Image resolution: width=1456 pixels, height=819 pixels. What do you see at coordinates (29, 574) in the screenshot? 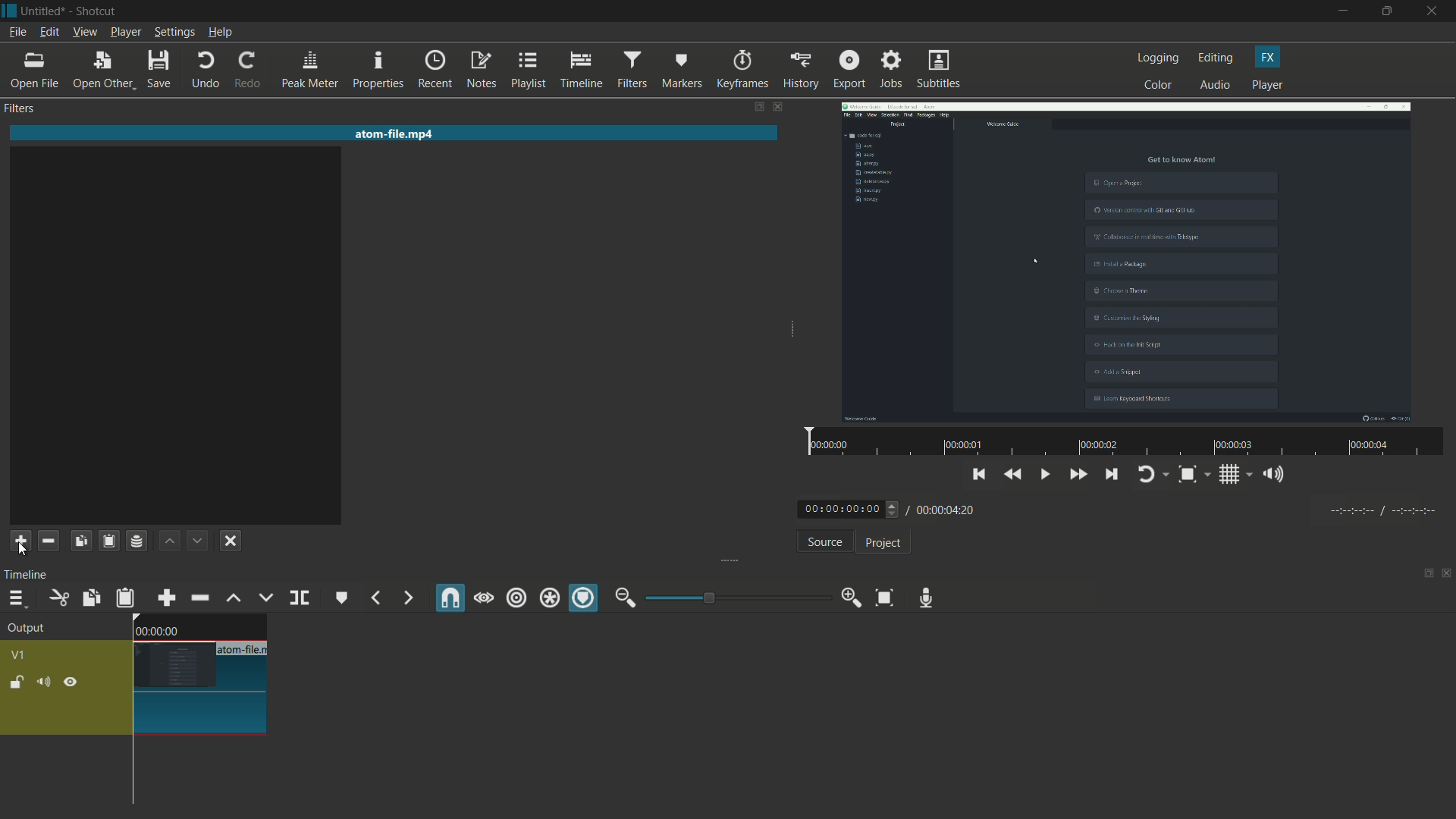
I see `timeline` at bounding box center [29, 574].